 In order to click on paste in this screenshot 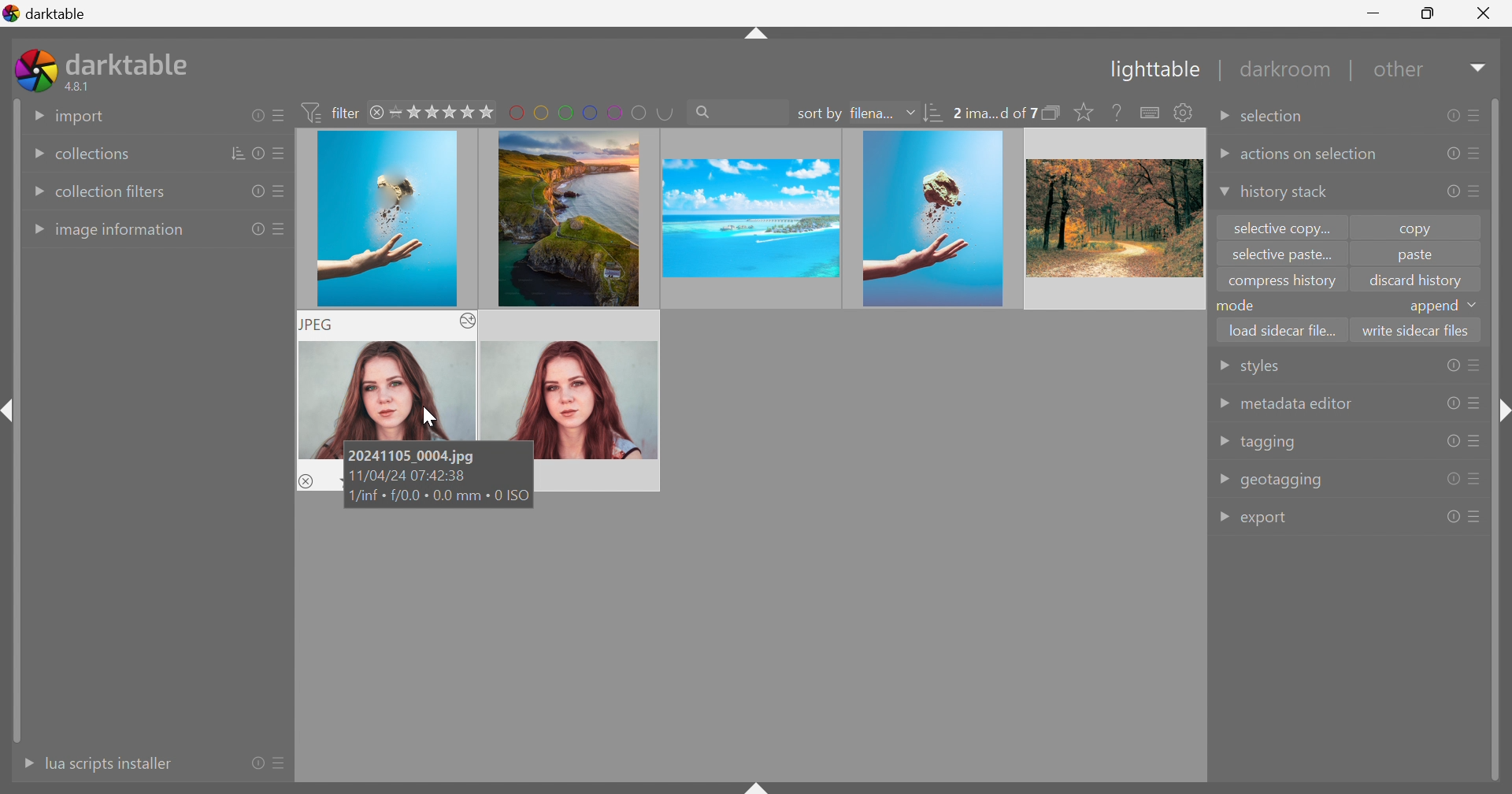, I will do `click(1414, 258)`.